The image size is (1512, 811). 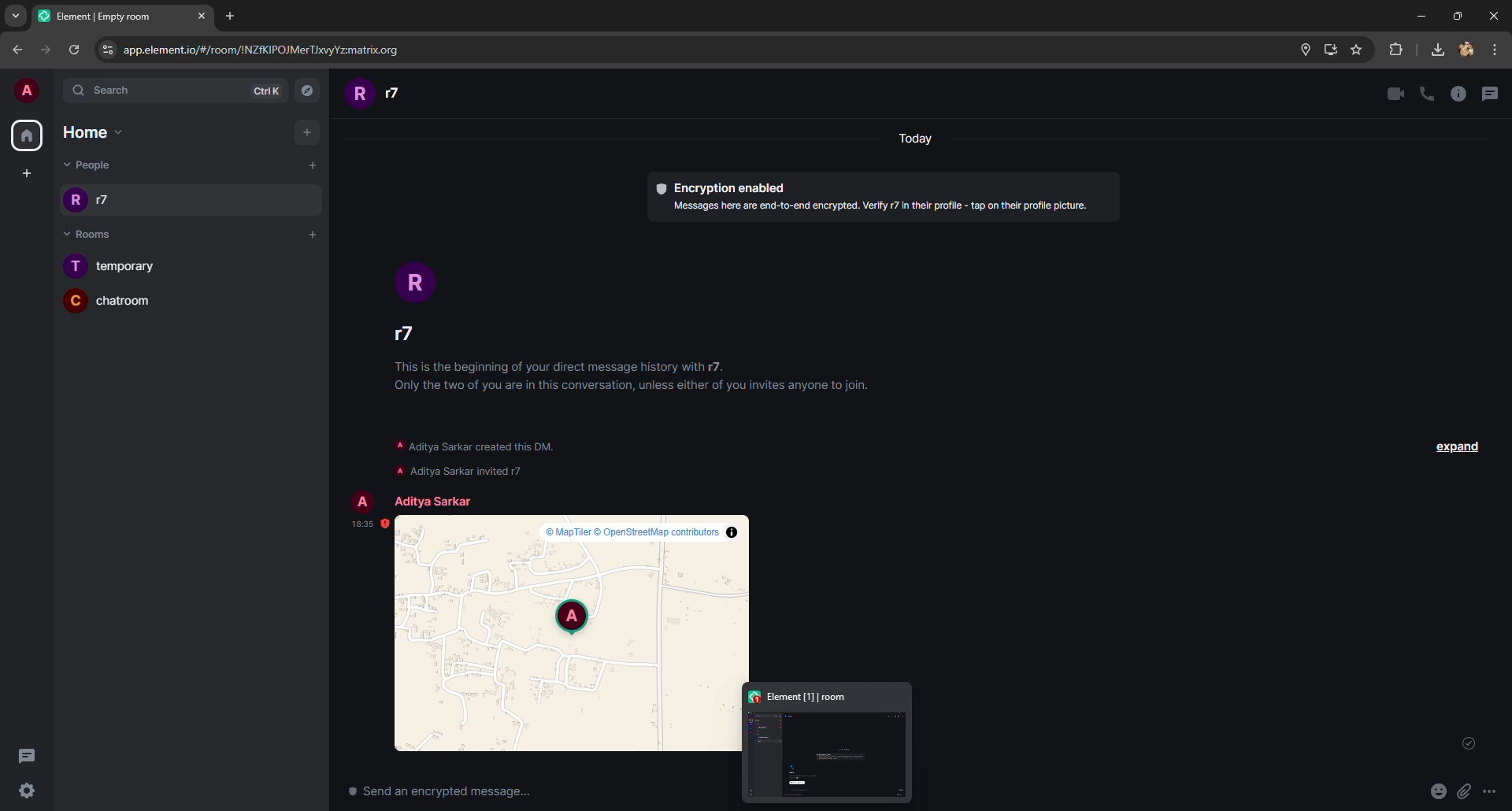 What do you see at coordinates (405, 497) in the screenshot?
I see `account` at bounding box center [405, 497].